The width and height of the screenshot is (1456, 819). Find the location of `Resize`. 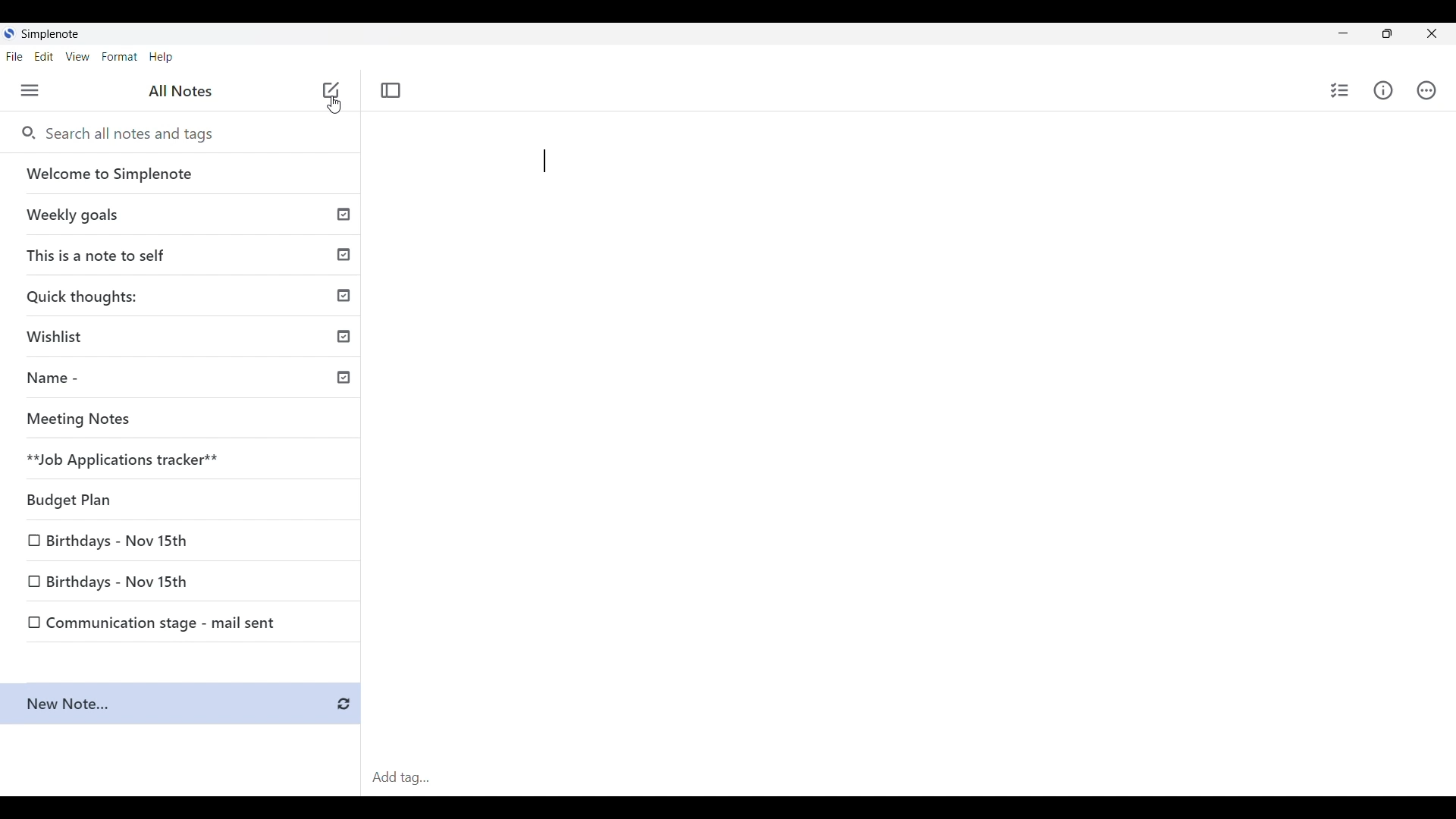

Resize is located at coordinates (1385, 36).